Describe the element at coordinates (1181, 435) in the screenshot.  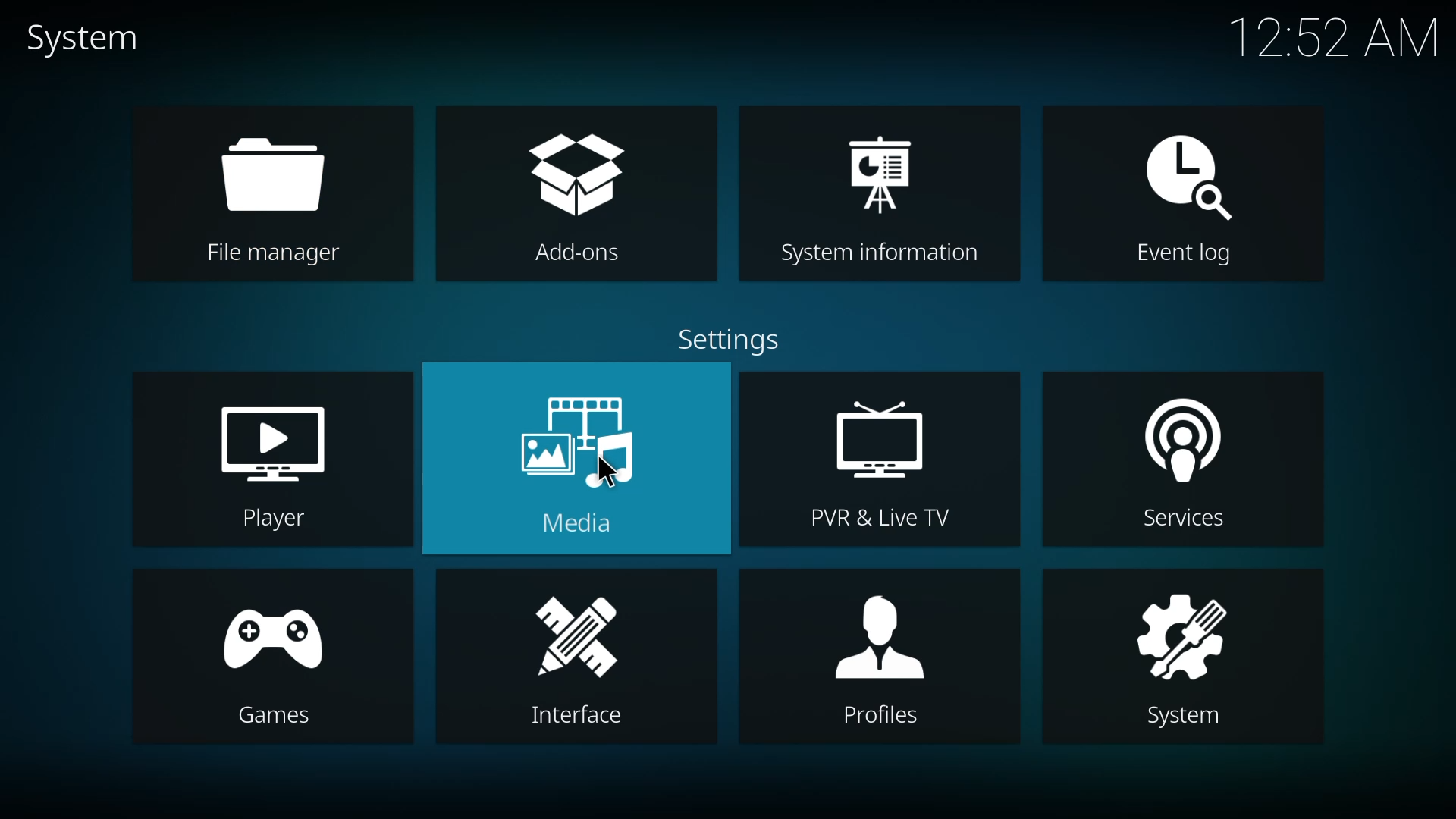
I see `services` at that location.